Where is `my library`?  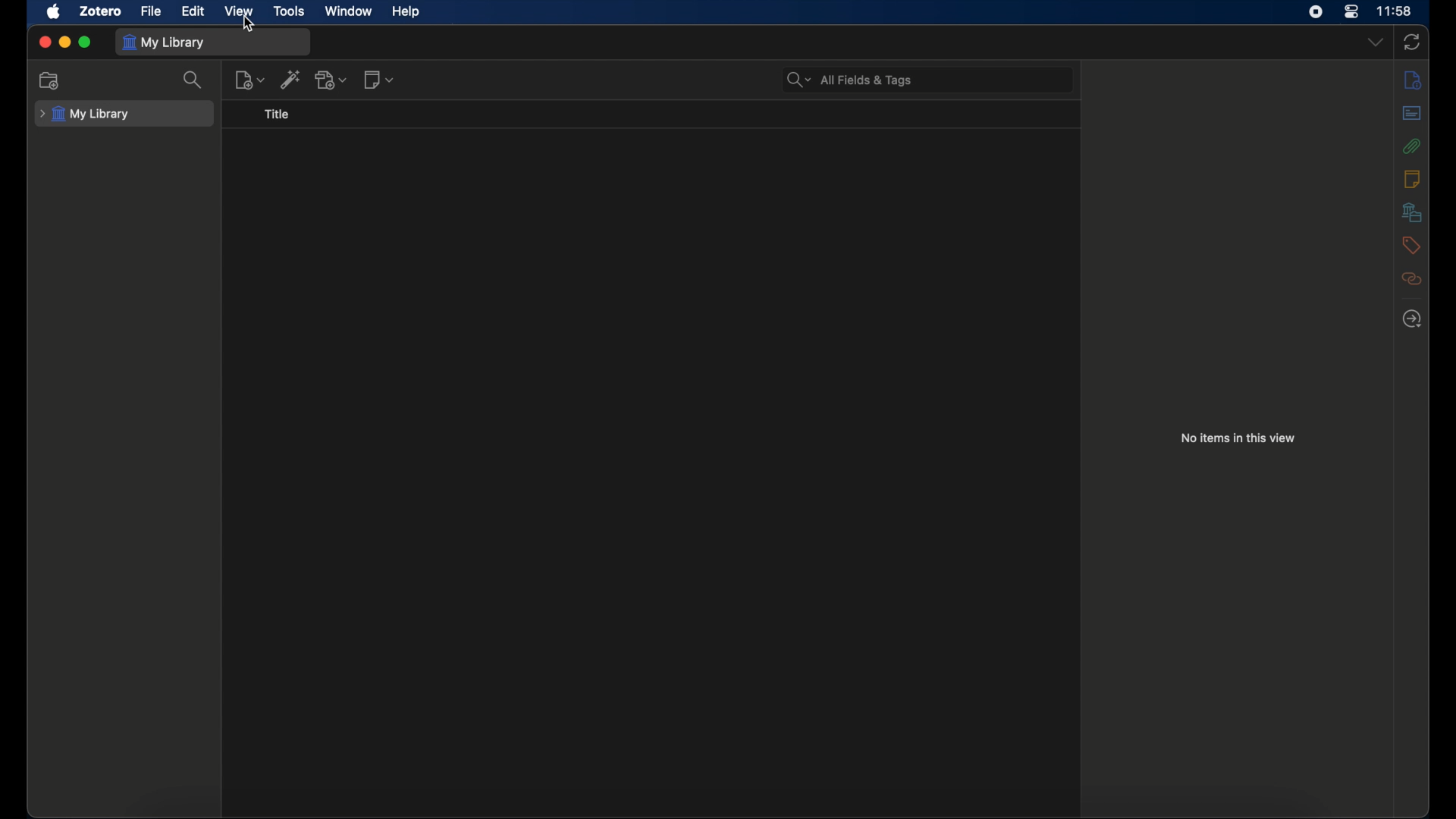
my library is located at coordinates (85, 115).